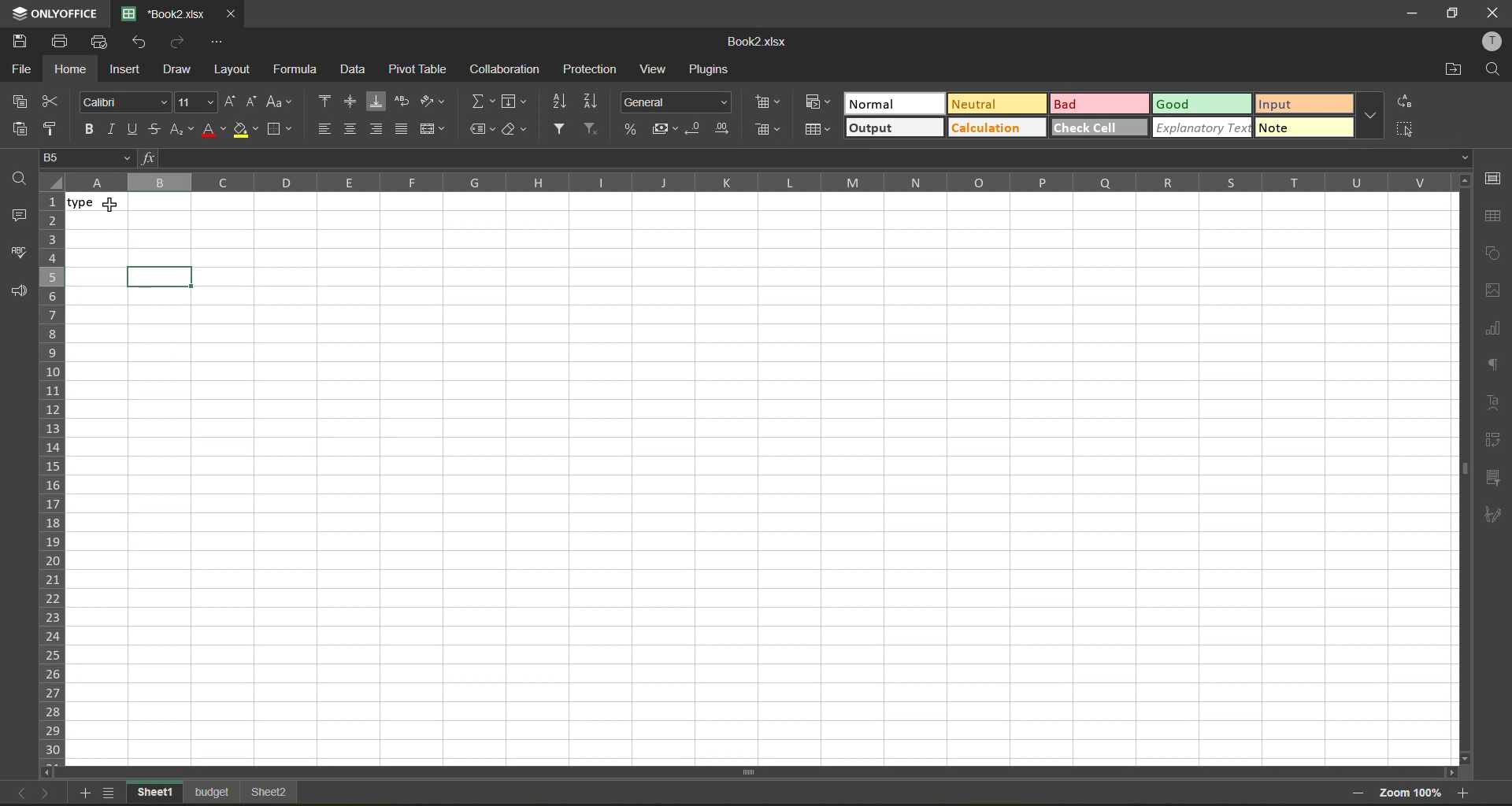  I want to click on profile, so click(1489, 42).